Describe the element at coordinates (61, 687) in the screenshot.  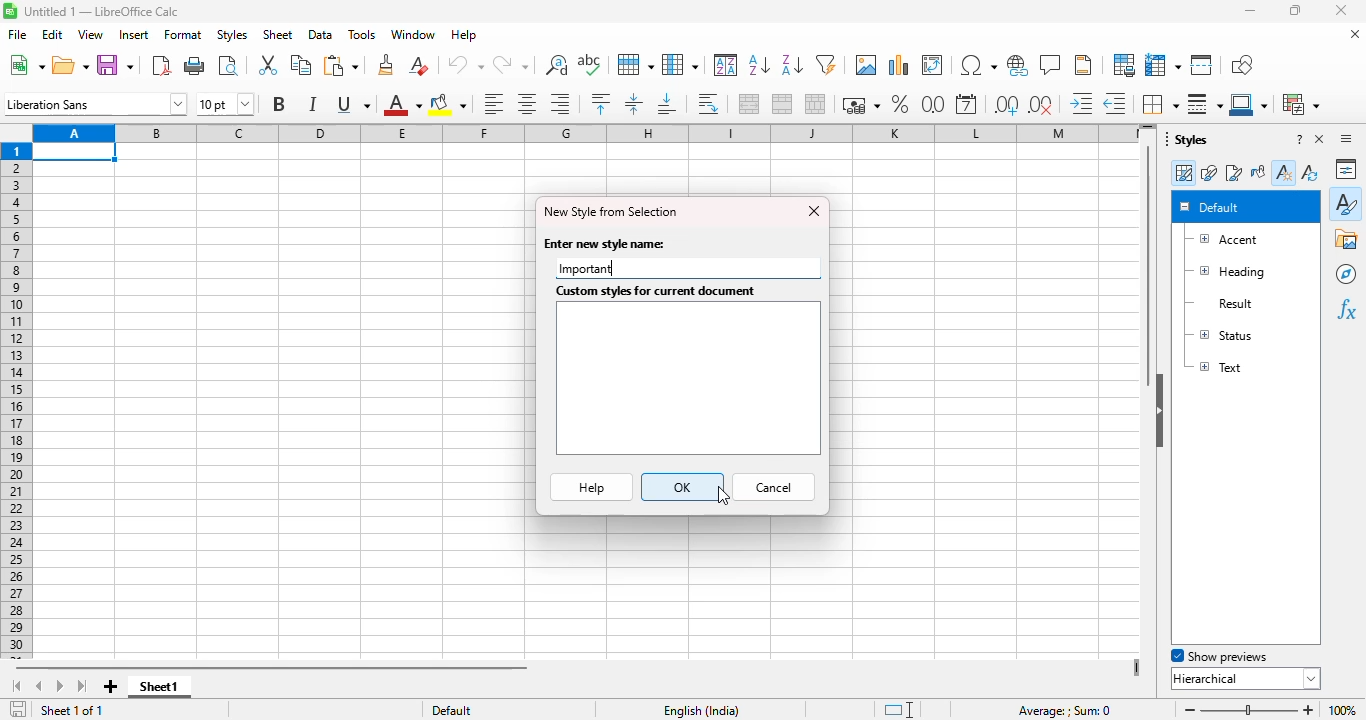
I see `scroll to next sheet` at that location.